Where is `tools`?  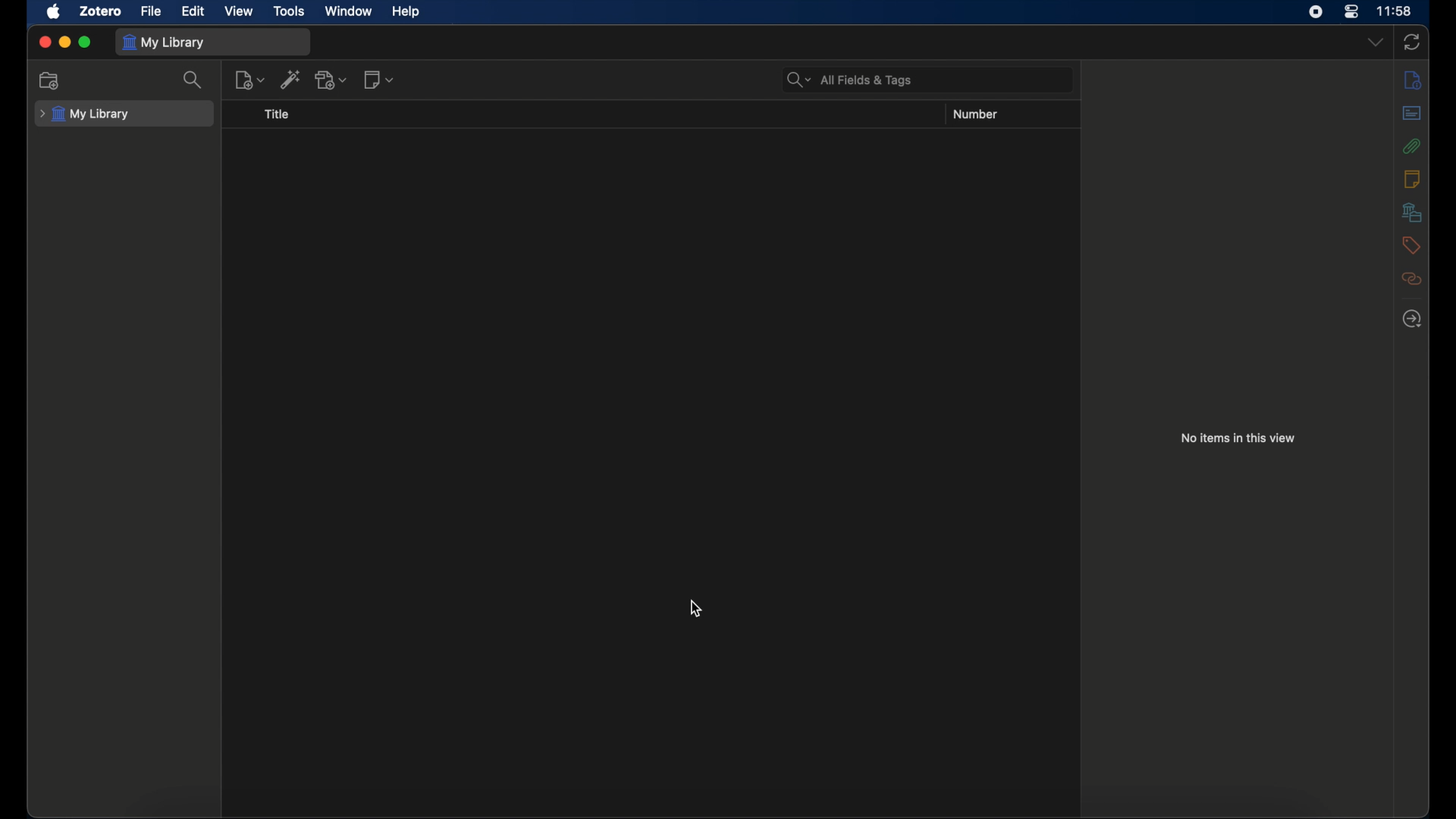 tools is located at coordinates (290, 11).